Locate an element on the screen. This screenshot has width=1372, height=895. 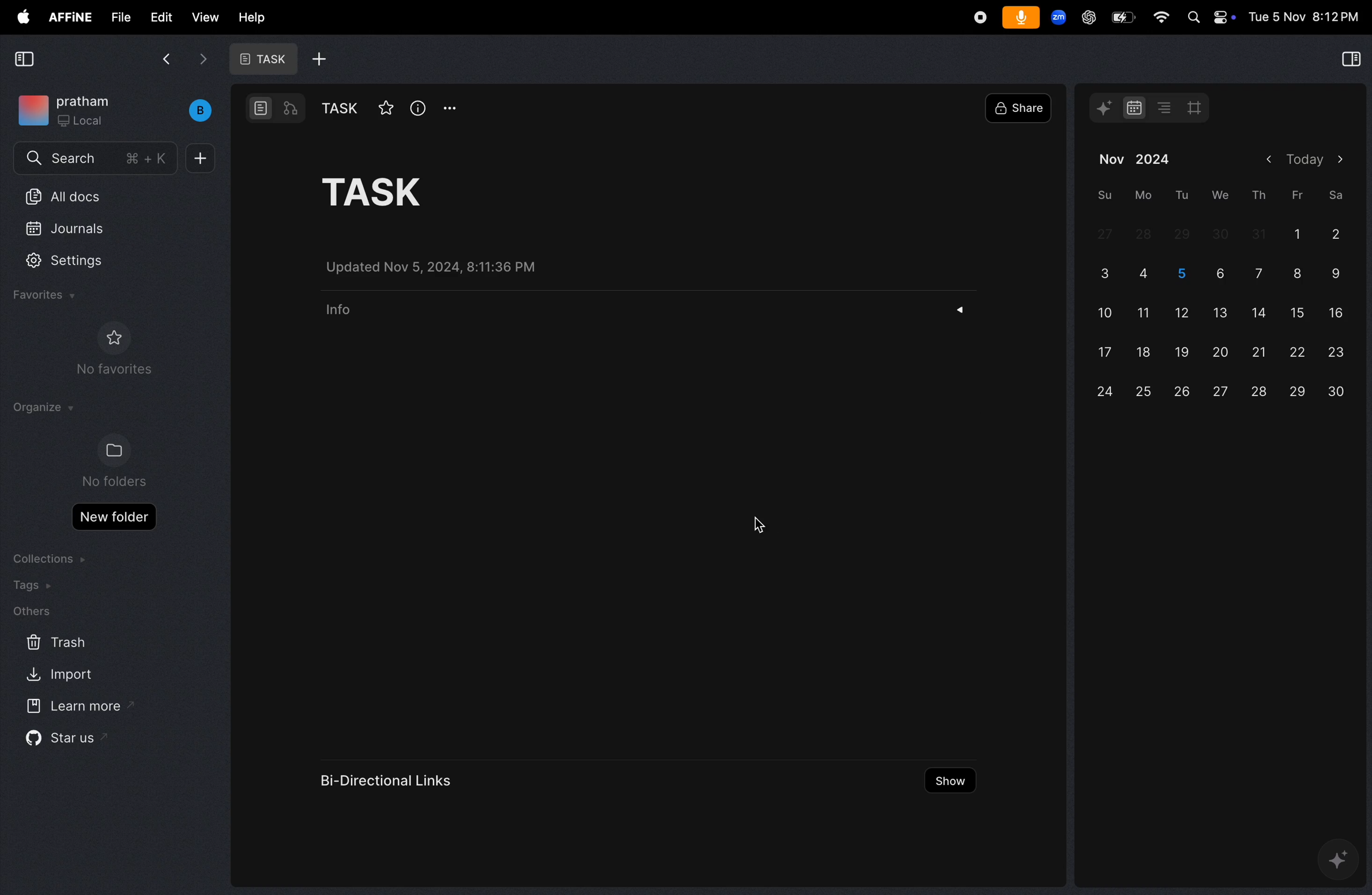
organize is located at coordinates (42, 408).